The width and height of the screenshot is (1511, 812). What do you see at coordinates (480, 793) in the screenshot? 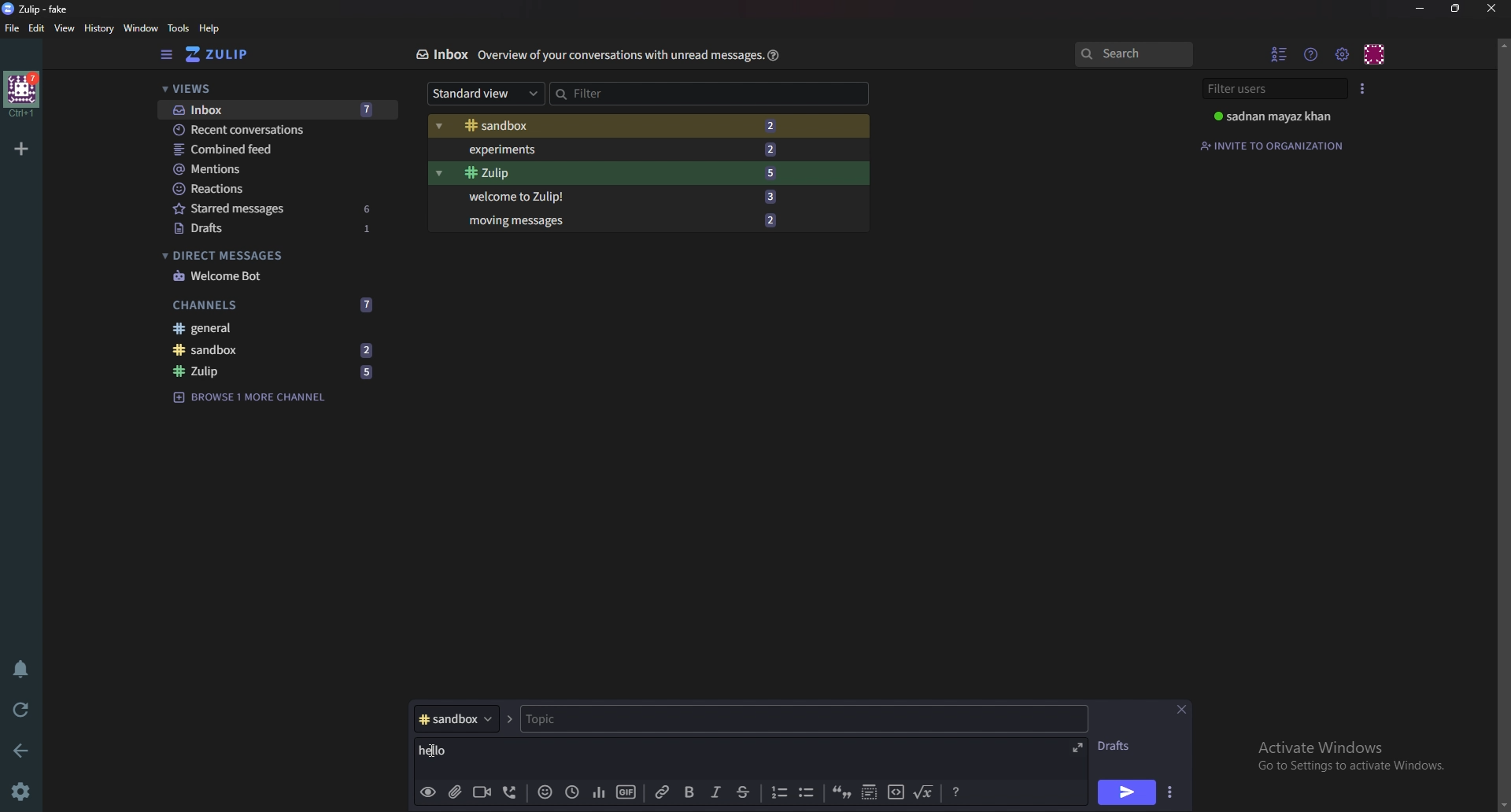
I see `Video call` at bounding box center [480, 793].